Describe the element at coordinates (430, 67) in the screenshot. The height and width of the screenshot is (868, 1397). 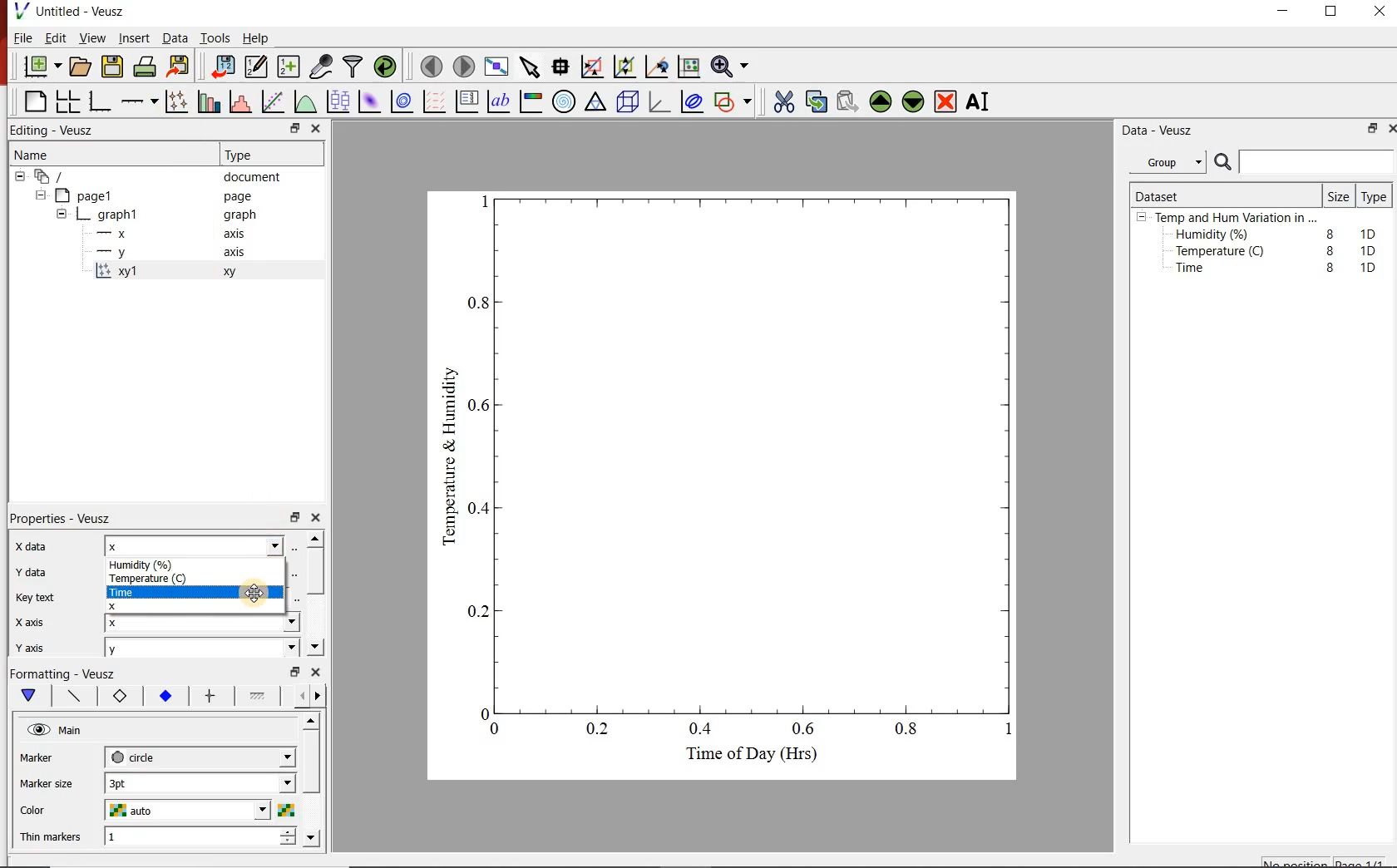
I see `move to the previous page` at that location.